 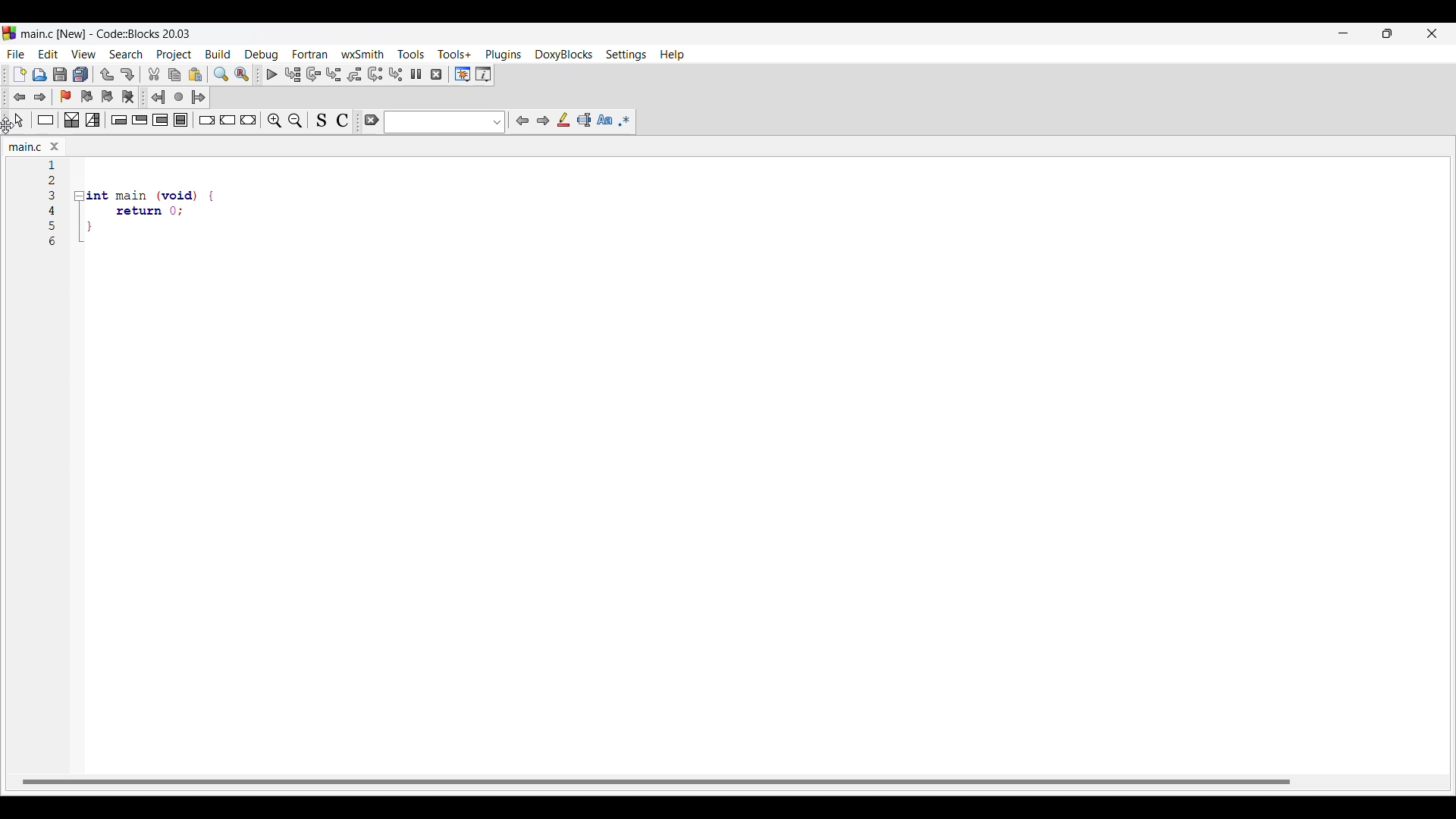 I want to click on , so click(x=130, y=231).